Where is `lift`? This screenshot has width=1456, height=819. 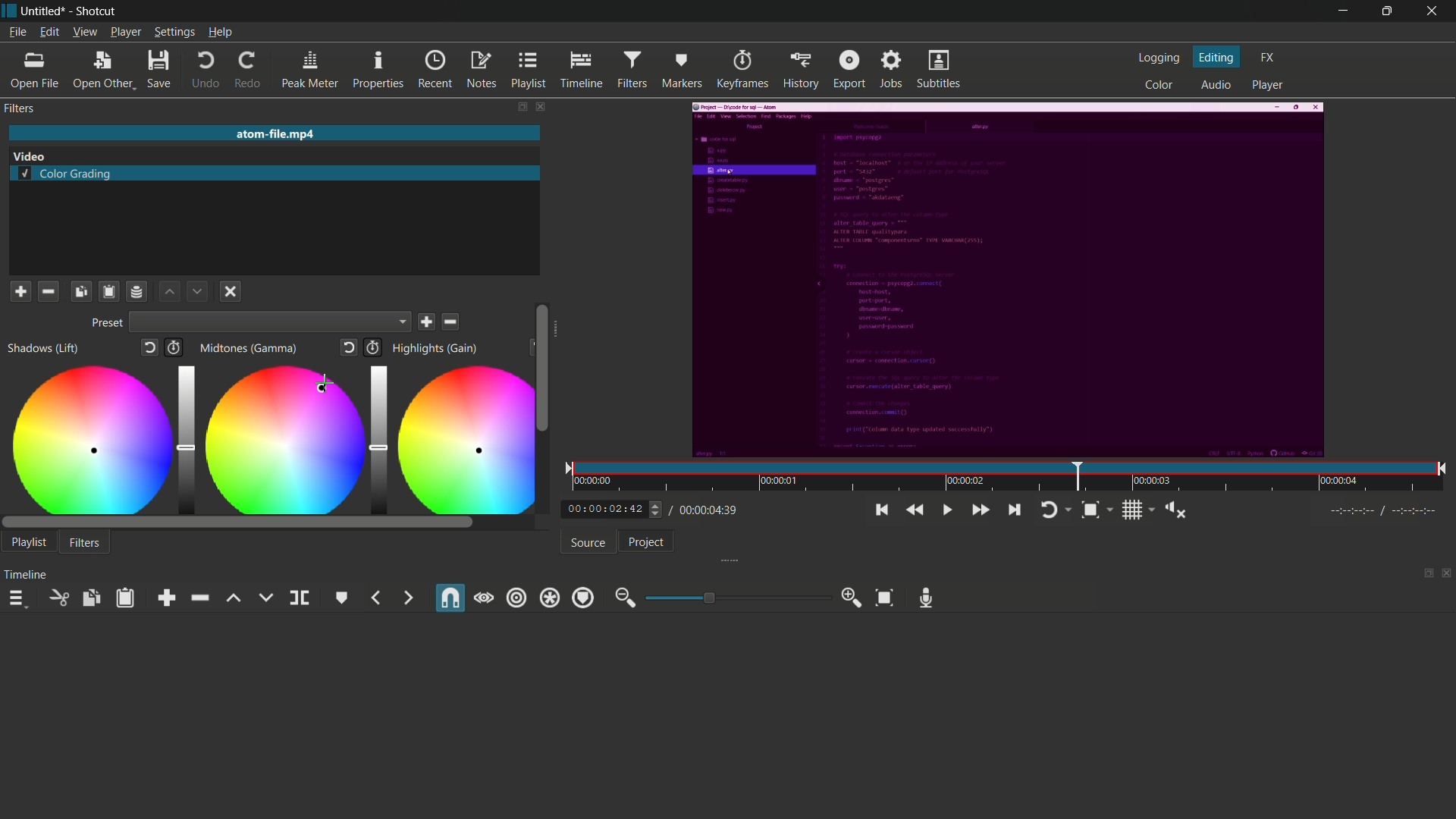
lift is located at coordinates (233, 598).